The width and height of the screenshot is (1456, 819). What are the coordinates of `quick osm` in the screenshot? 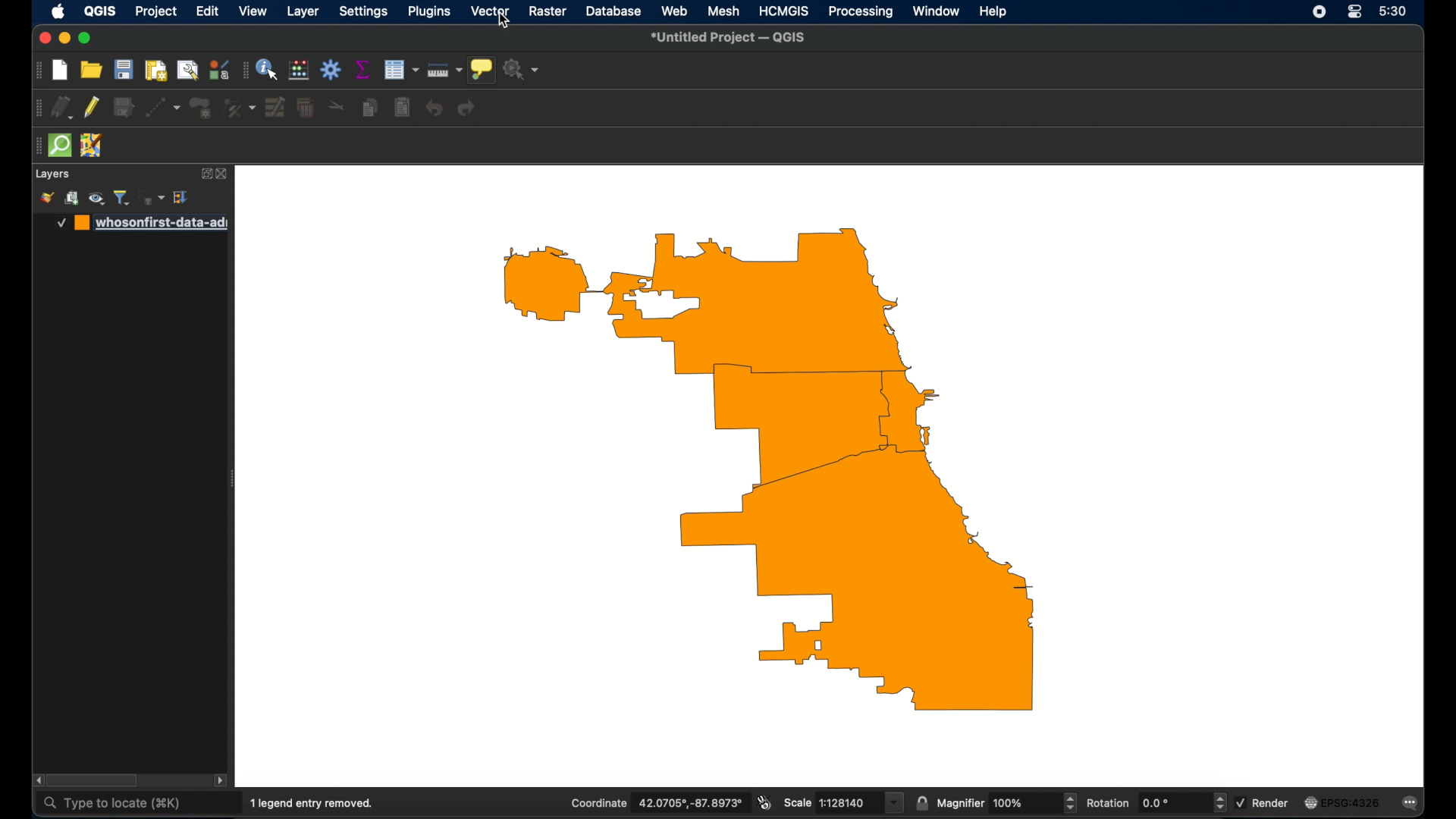 It's located at (59, 144).